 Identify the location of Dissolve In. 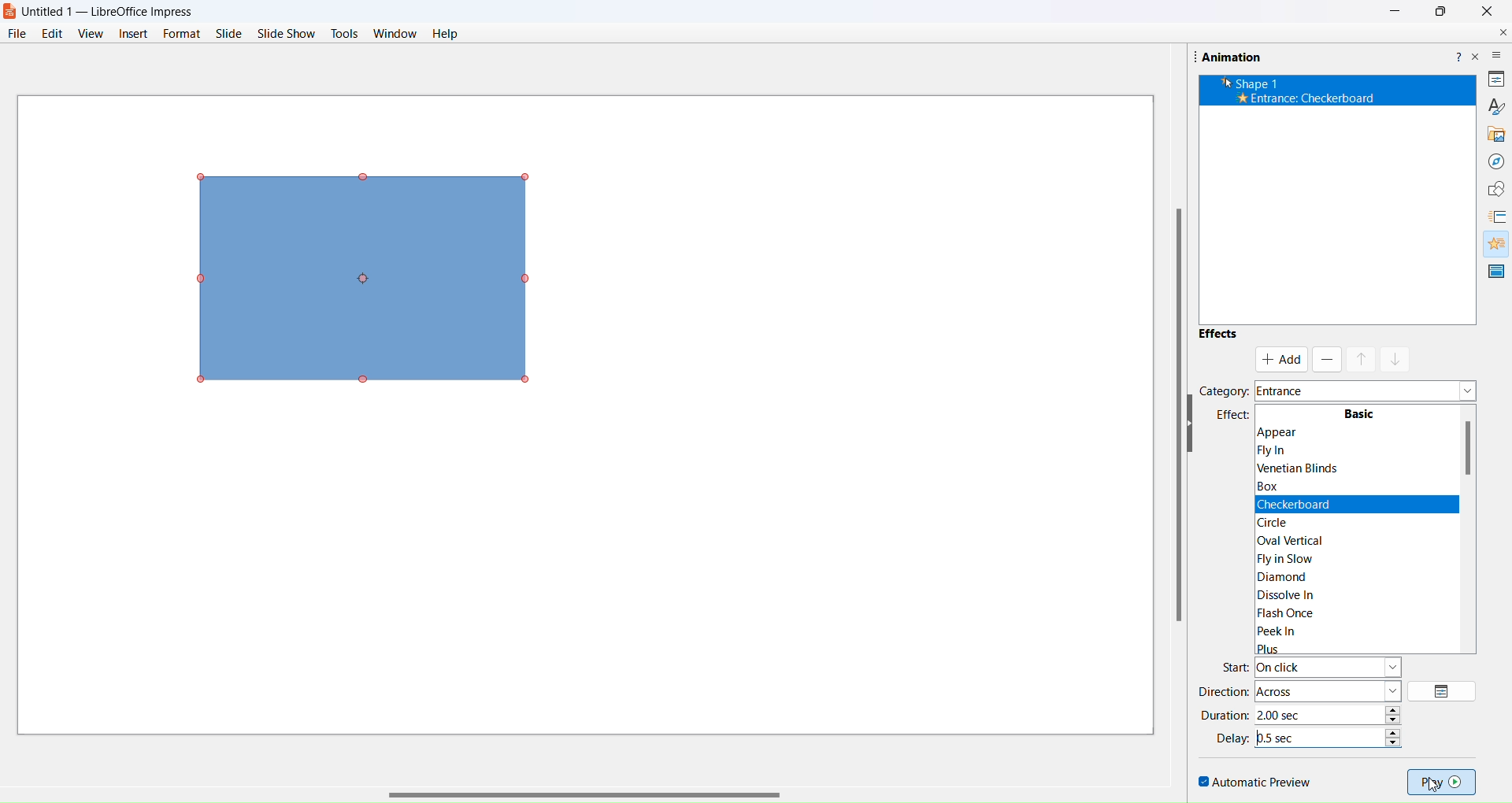
(1296, 593).